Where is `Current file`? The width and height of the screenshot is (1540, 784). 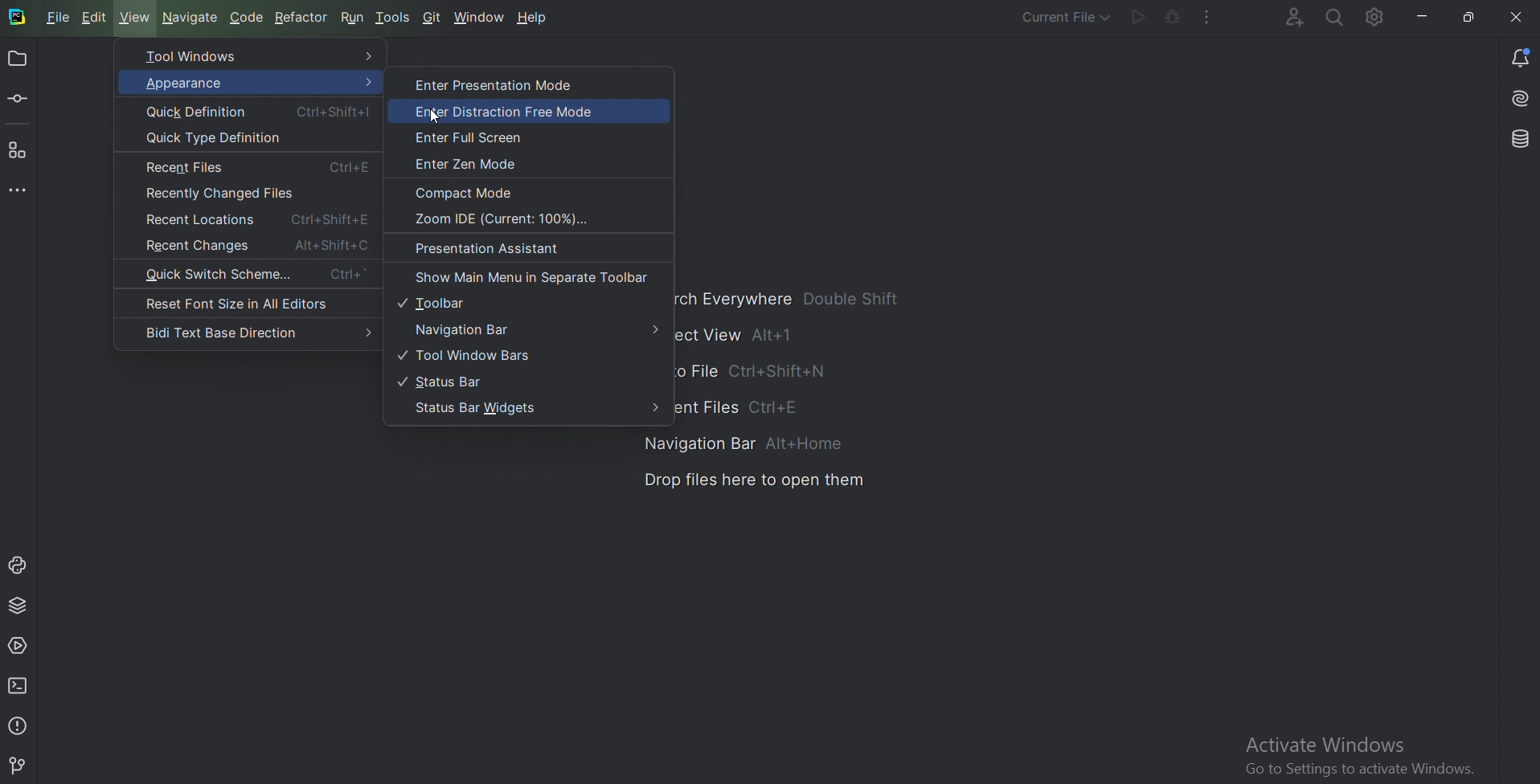 Current file is located at coordinates (1054, 18).